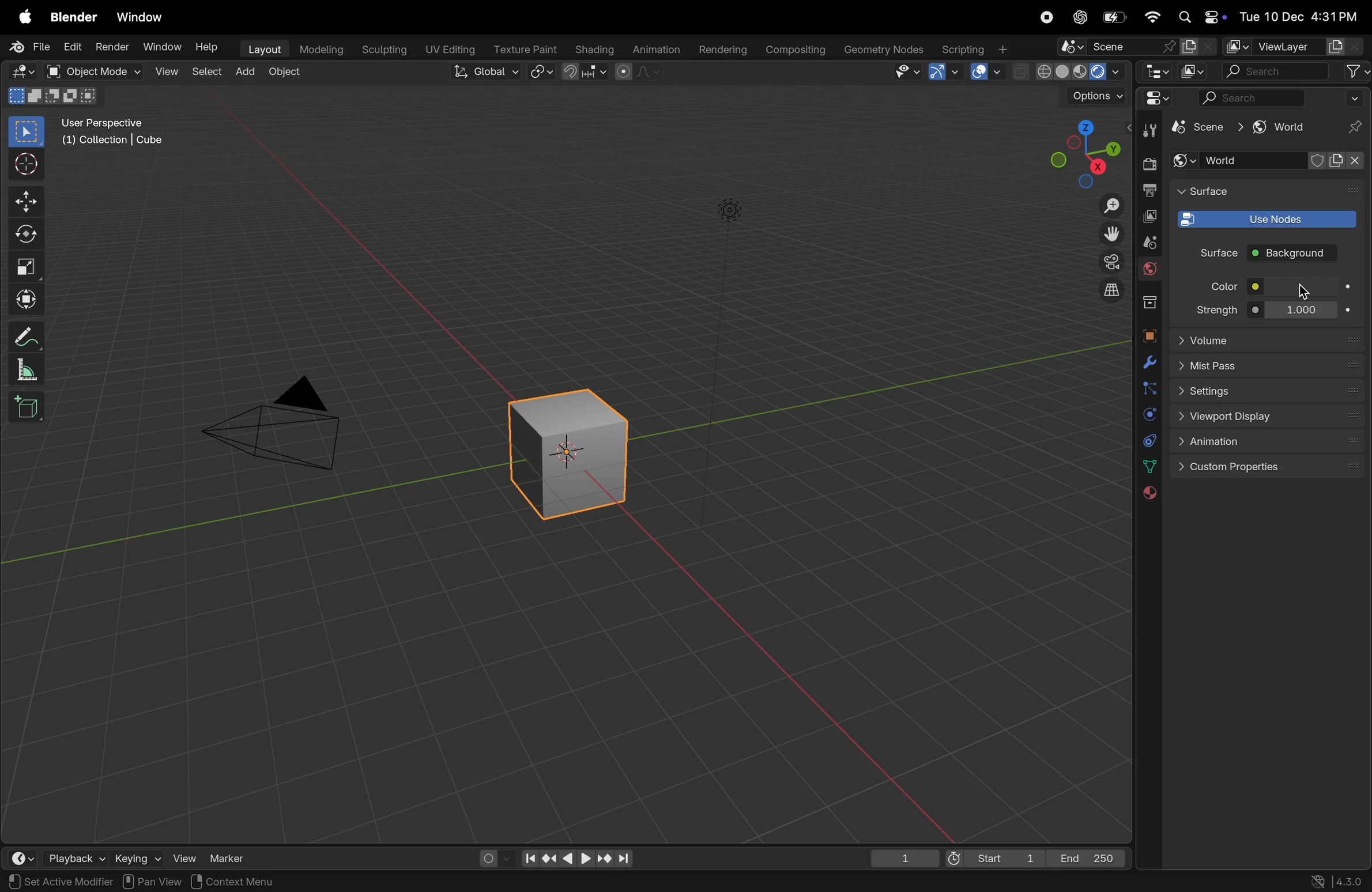  I want to click on custom properties, so click(1270, 469).